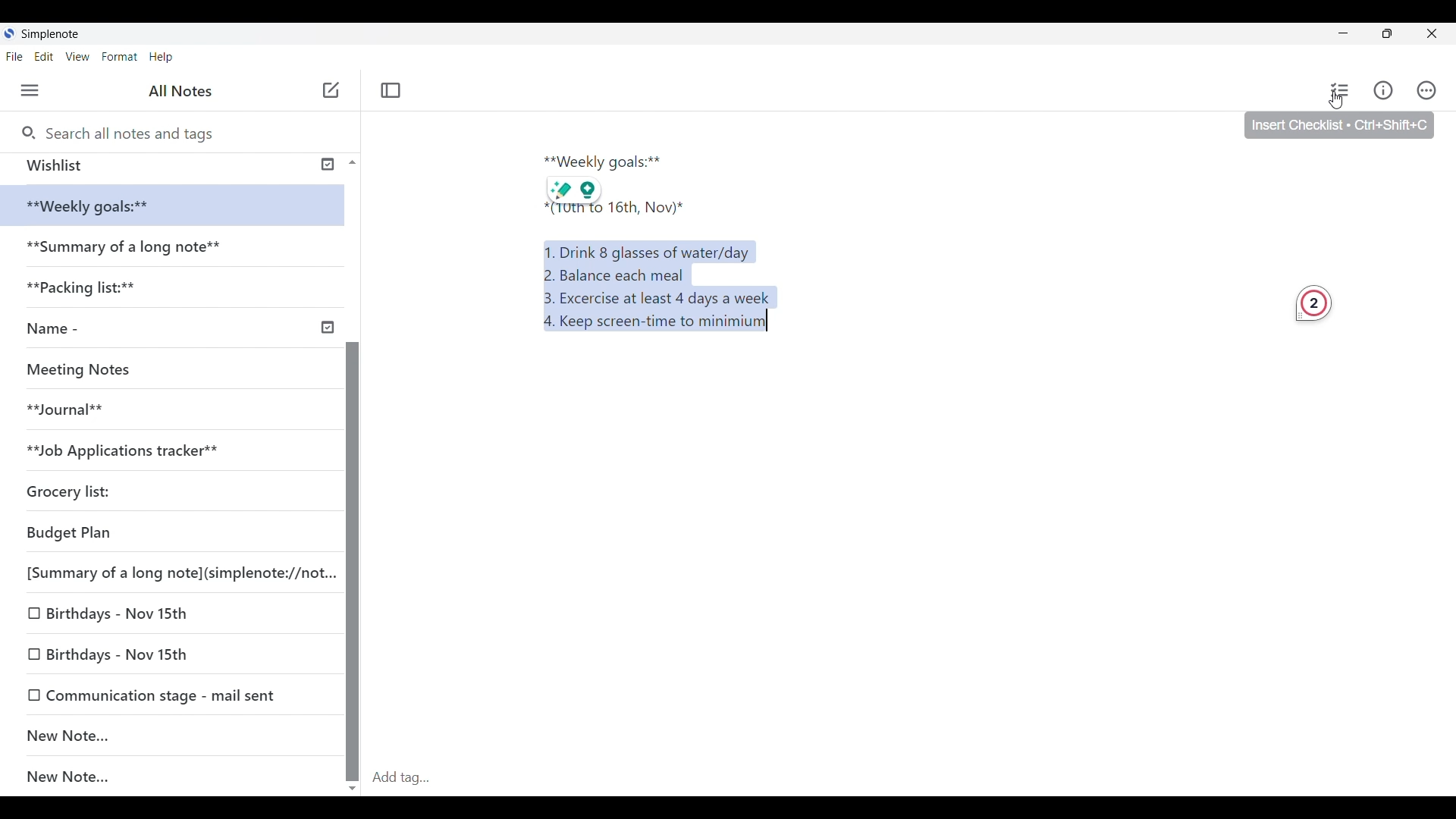  I want to click on Insert checklist • Ctrl+Shift+C , so click(1339, 126).